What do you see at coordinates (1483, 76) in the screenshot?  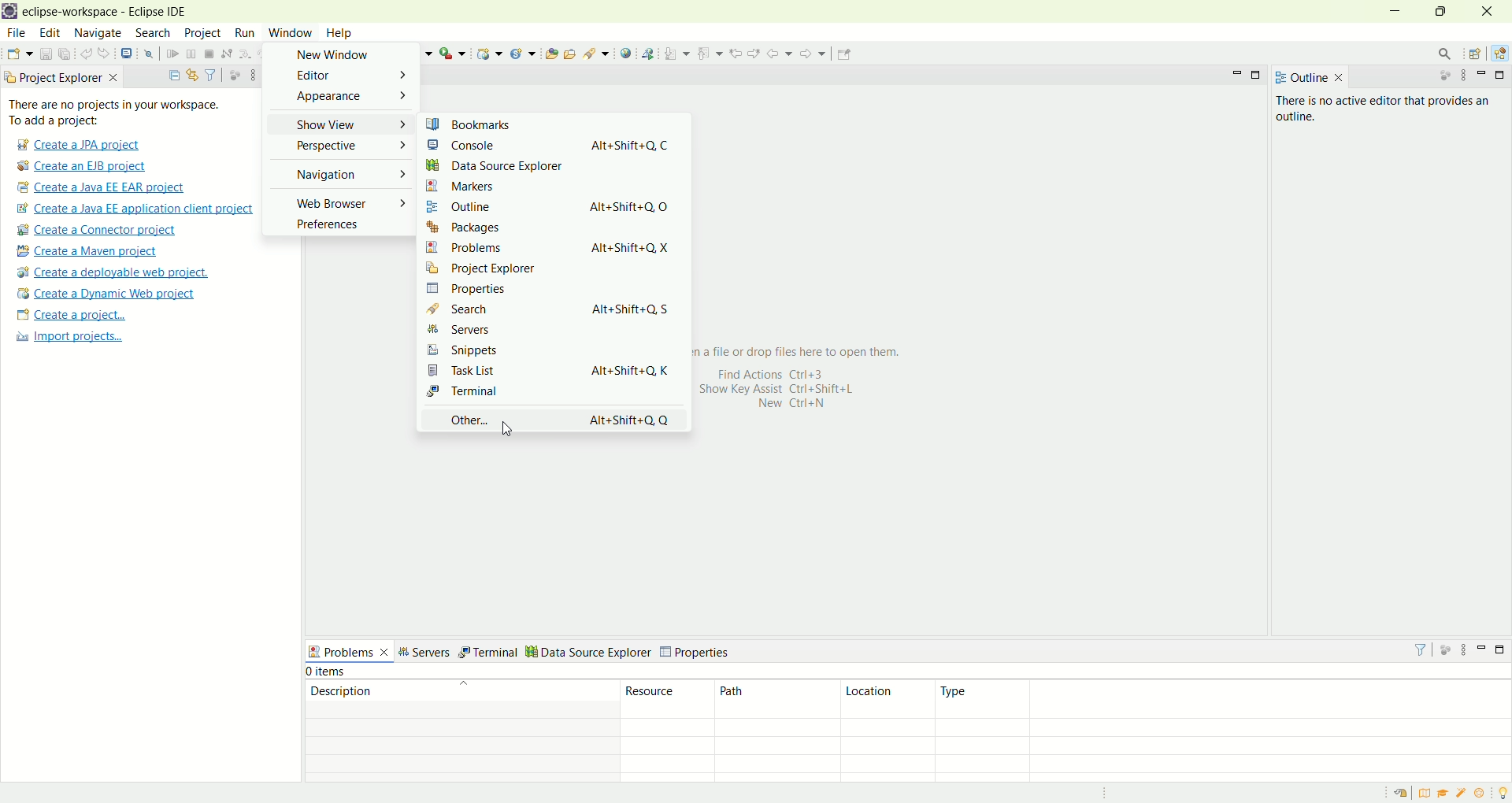 I see `minimize` at bounding box center [1483, 76].